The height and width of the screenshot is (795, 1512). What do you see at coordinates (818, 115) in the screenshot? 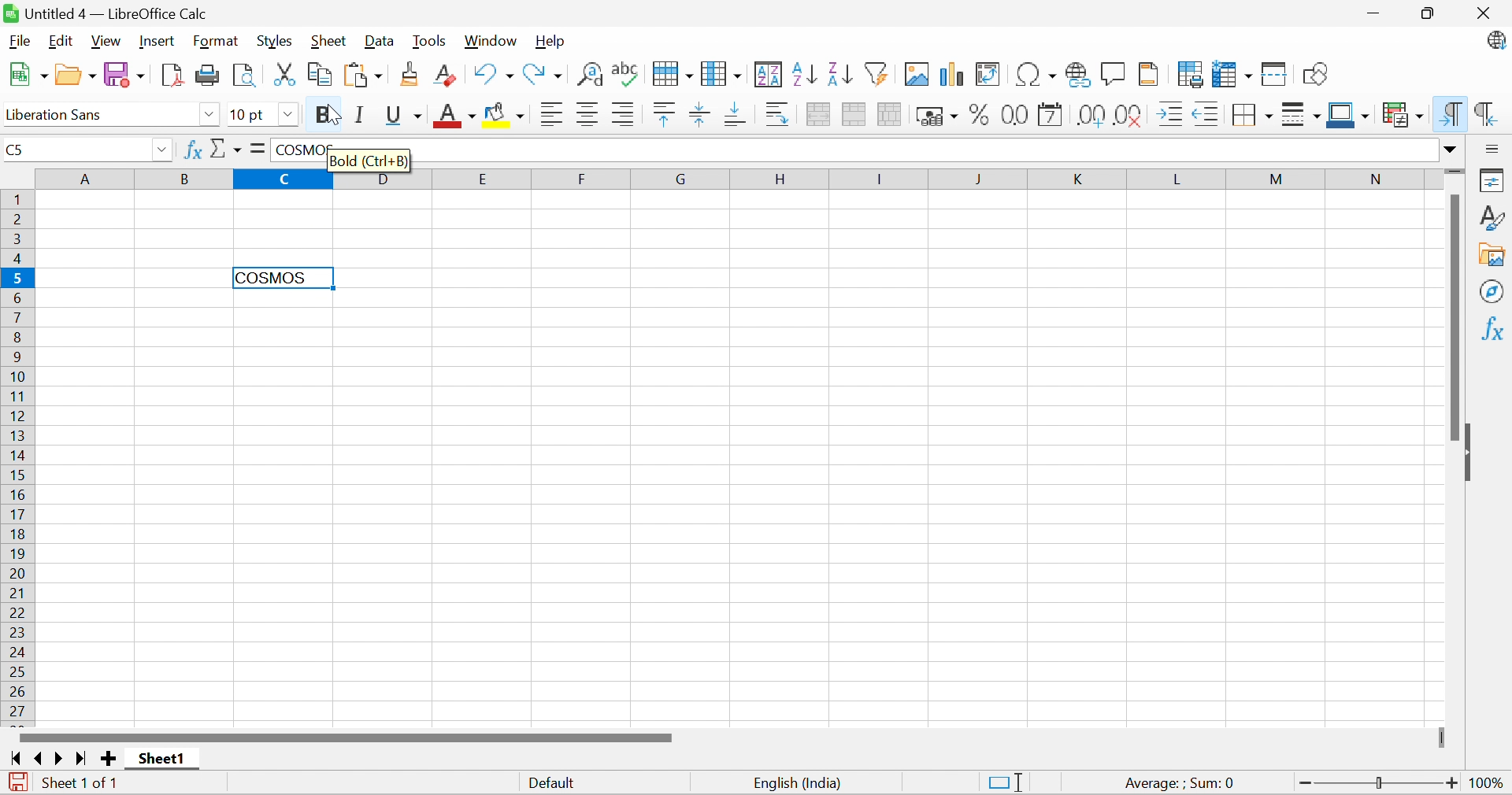
I see `Merge and Center or Unmerge Cells Depending on current Toggle Status` at bounding box center [818, 115].